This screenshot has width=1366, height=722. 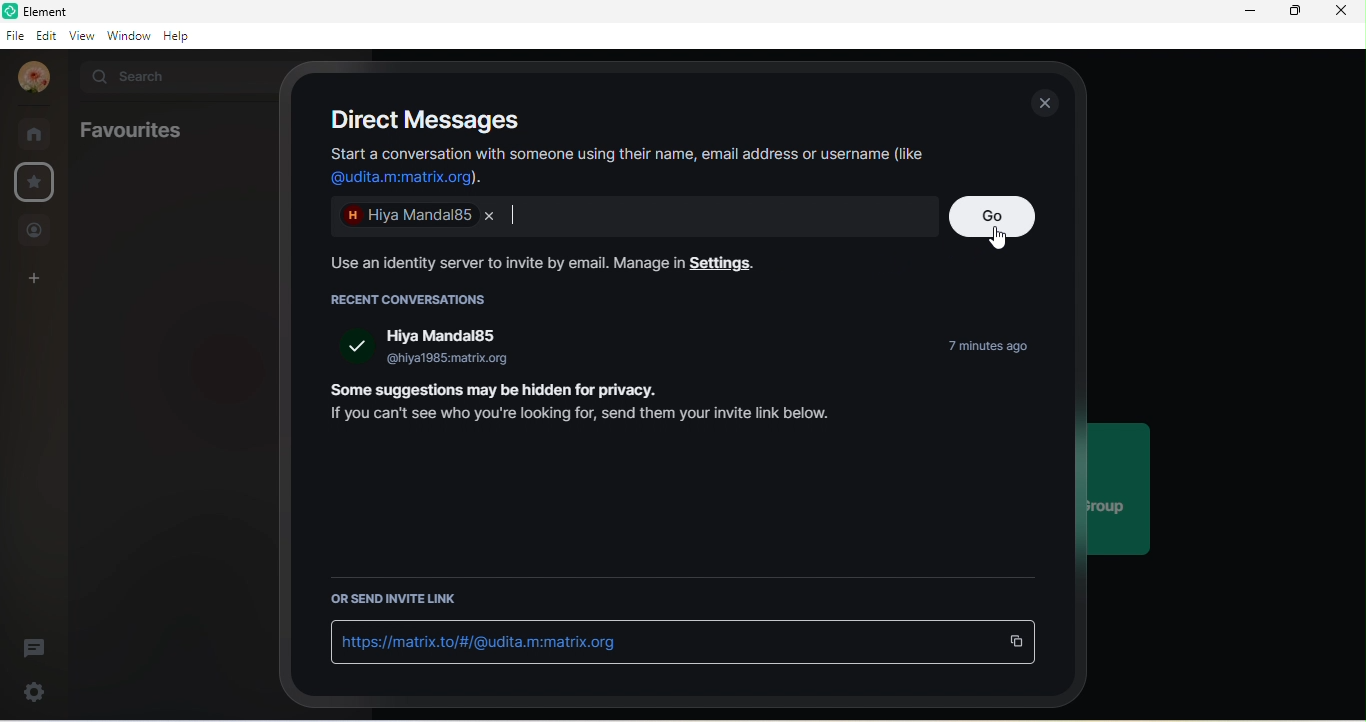 I want to click on file, so click(x=15, y=34).